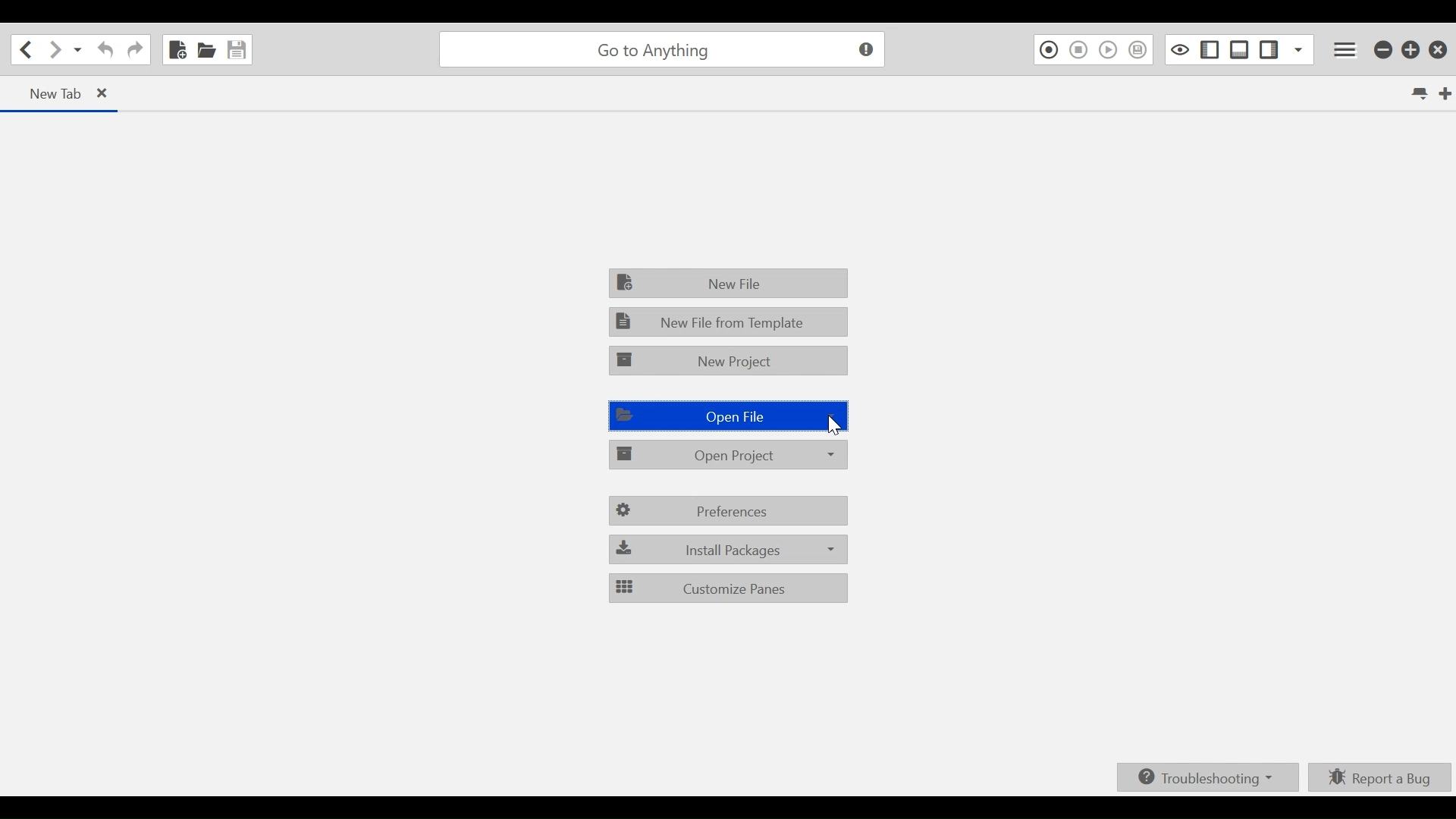 Image resolution: width=1456 pixels, height=819 pixels. Describe the element at coordinates (729, 510) in the screenshot. I see `Preferences` at that location.